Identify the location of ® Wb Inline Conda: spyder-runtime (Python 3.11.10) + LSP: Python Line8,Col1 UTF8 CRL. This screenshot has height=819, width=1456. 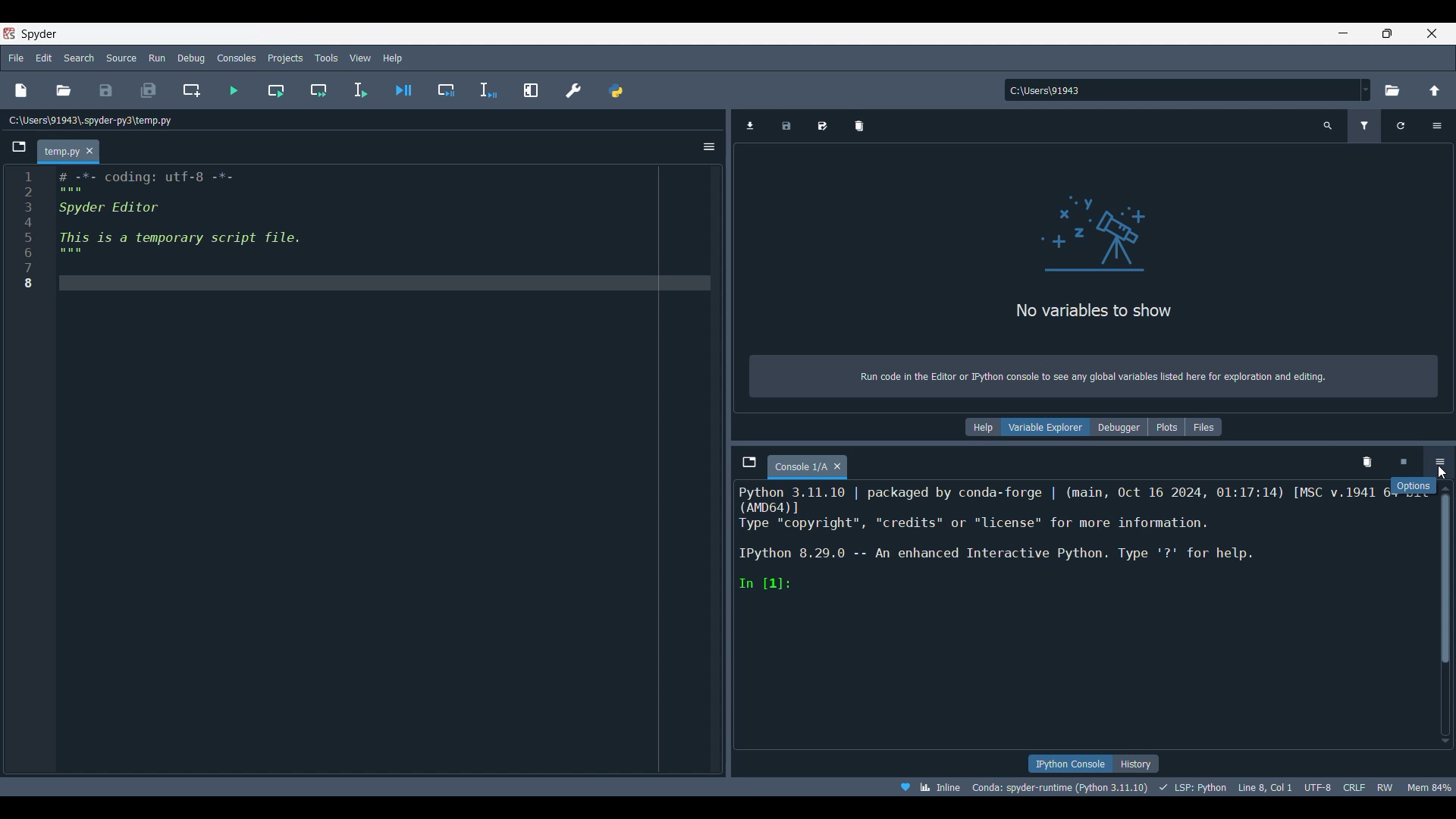
(1114, 786).